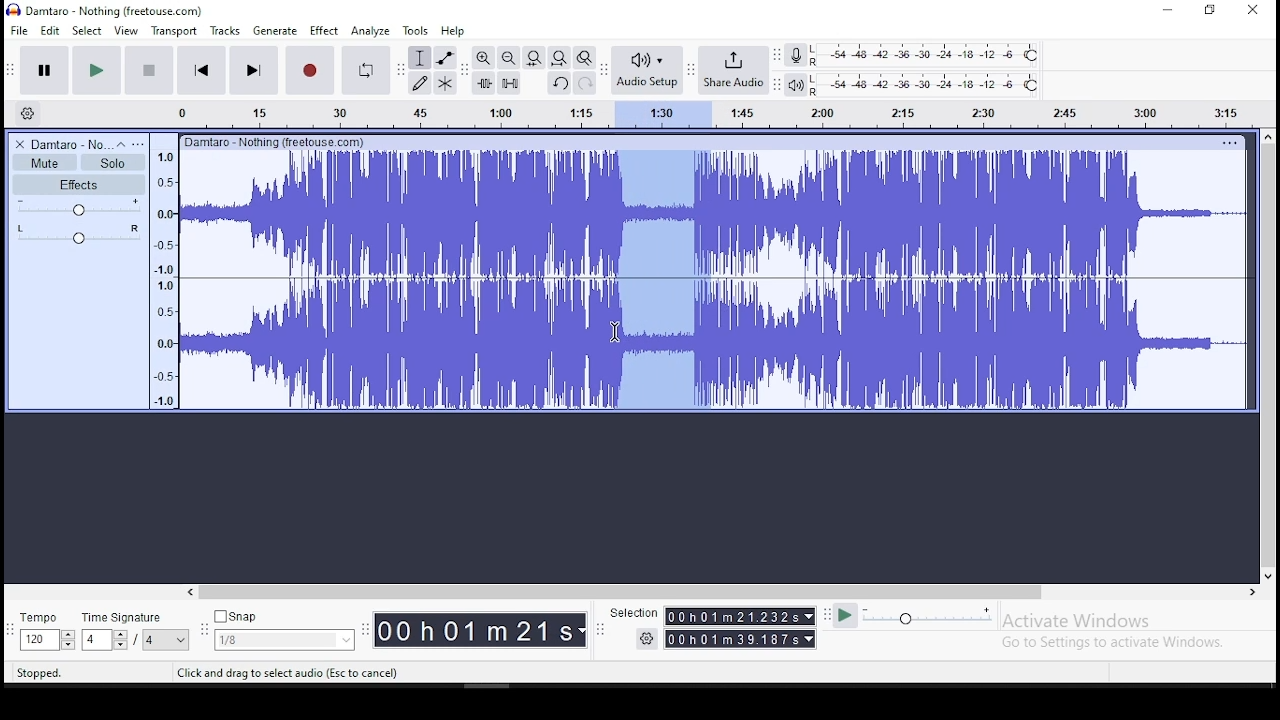 This screenshot has height=720, width=1280. I want to click on , so click(690, 70).